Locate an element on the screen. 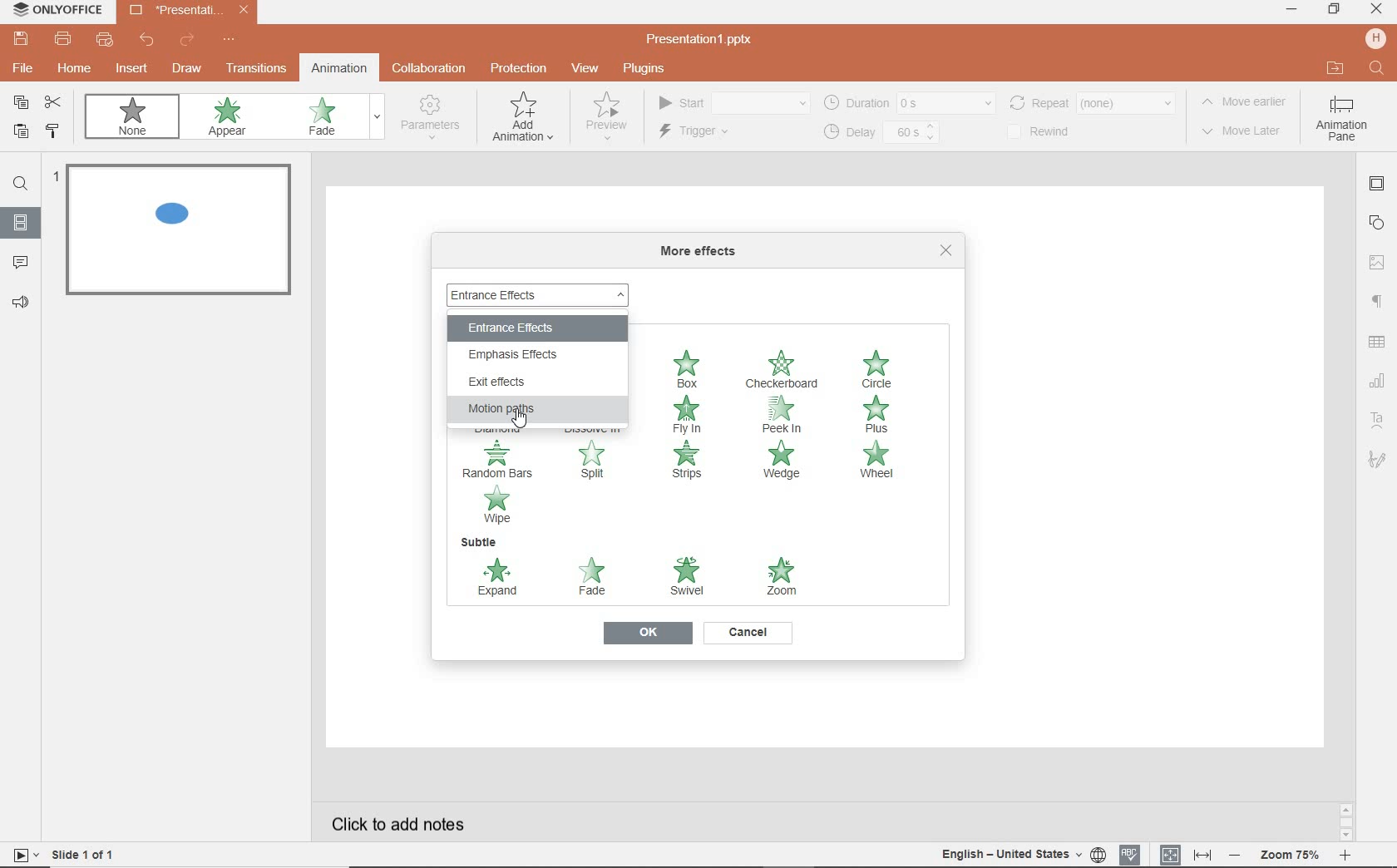 This screenshot has height=868, width=1397. system name is located at coordinates (57, 10).